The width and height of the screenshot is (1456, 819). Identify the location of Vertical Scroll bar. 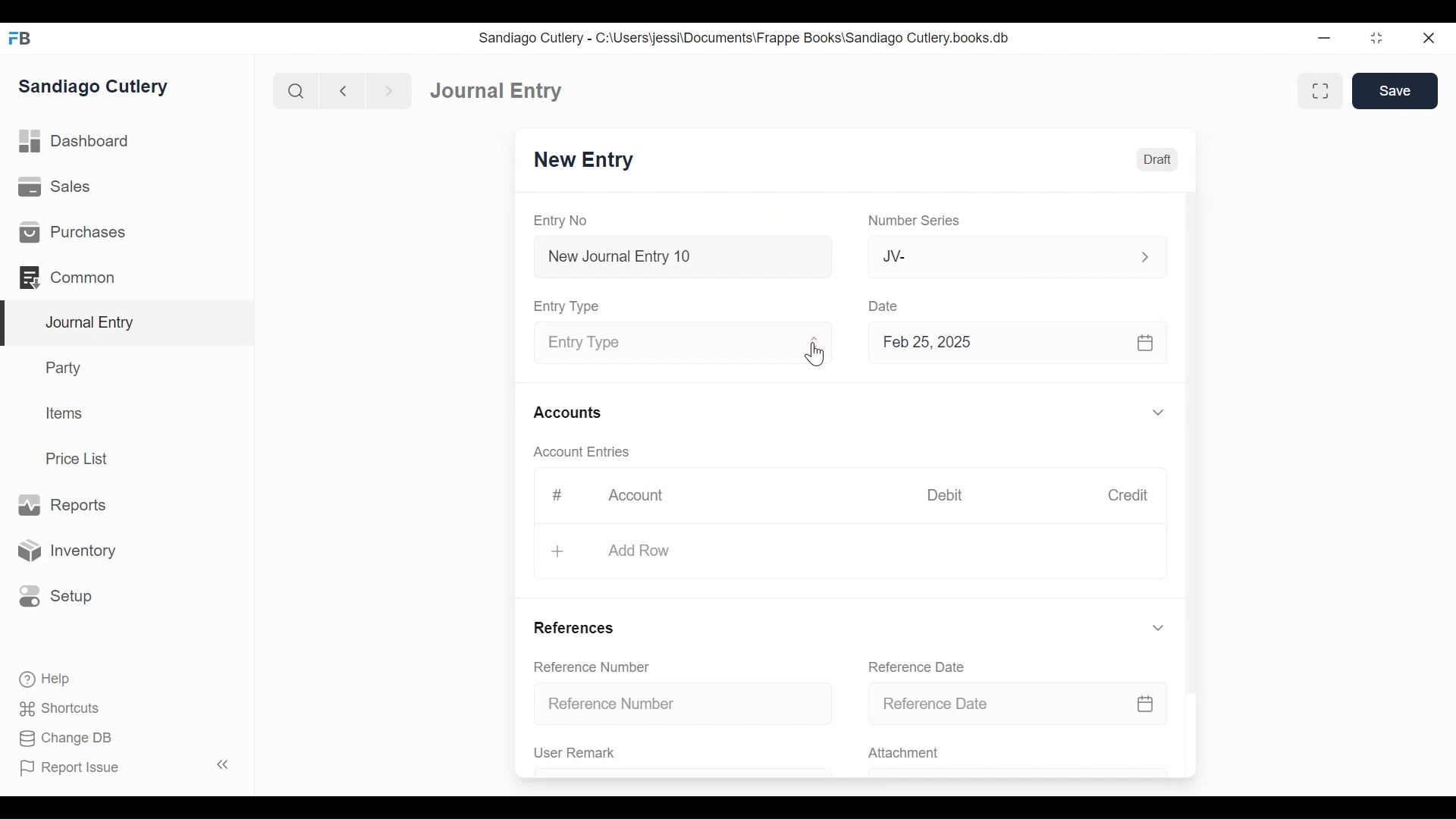
(1194, 434).